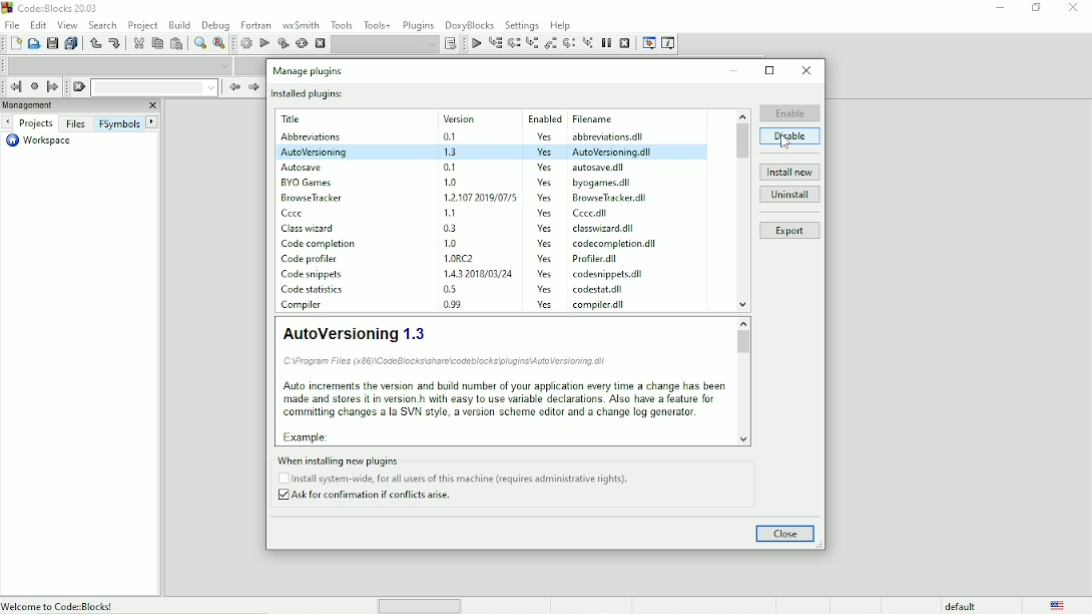 This screenshot has height=614, width=1092. Describe the element at coordinates (233, 88) in the screenshot. I see `Prev` at that location.